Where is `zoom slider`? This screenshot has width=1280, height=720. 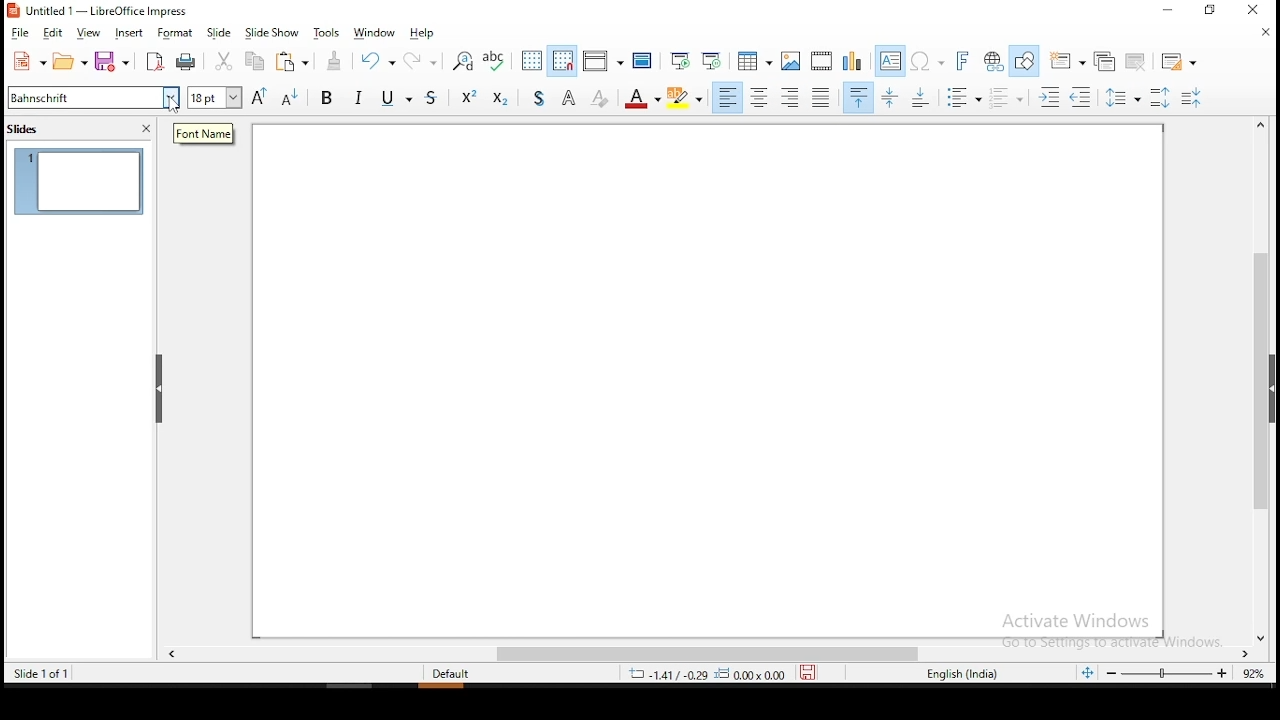
zoom slider is located at coordinates (1169, 675).